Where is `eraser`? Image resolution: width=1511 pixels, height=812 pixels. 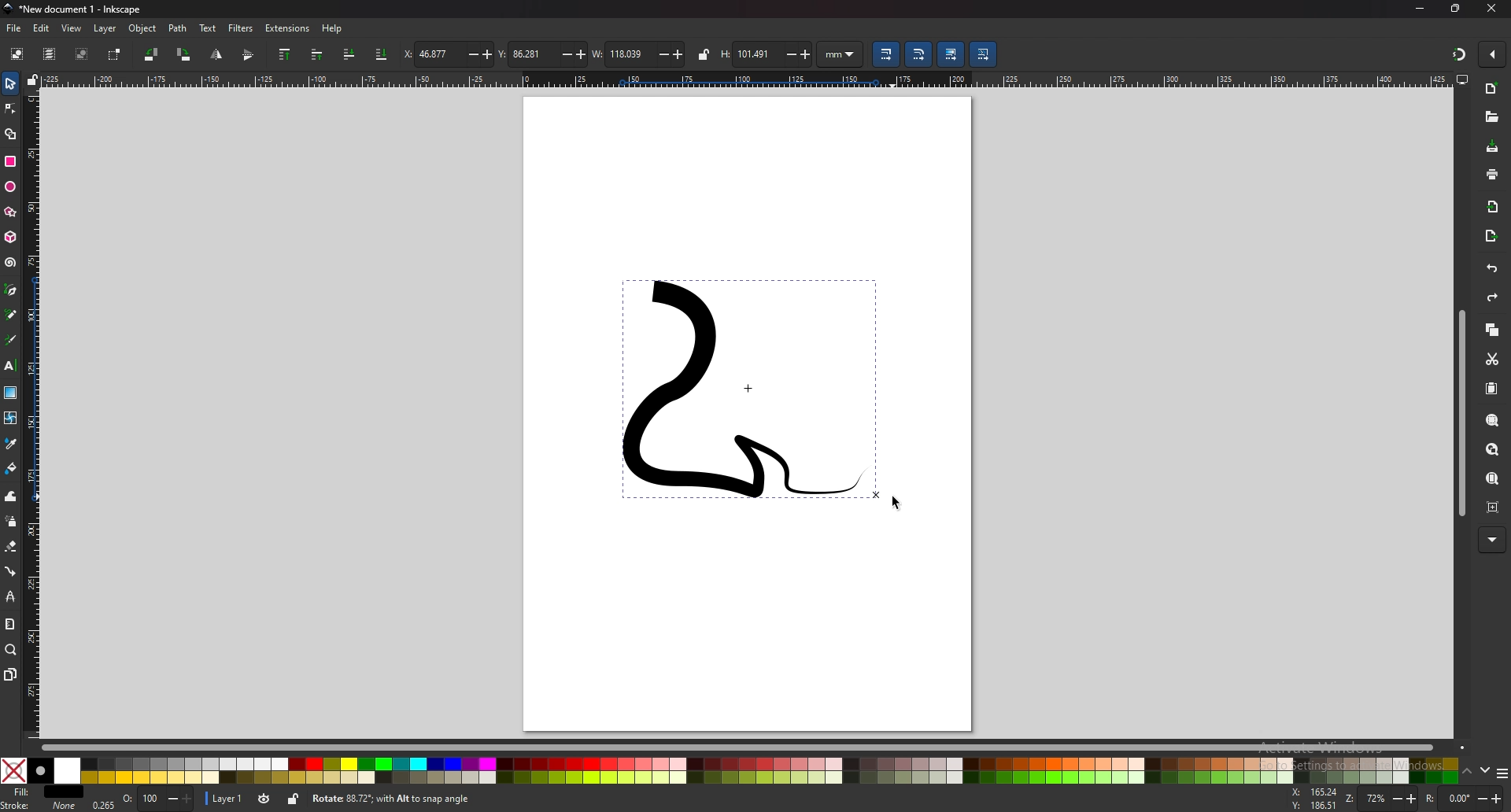 eraser is located at coordinates (10, 546).